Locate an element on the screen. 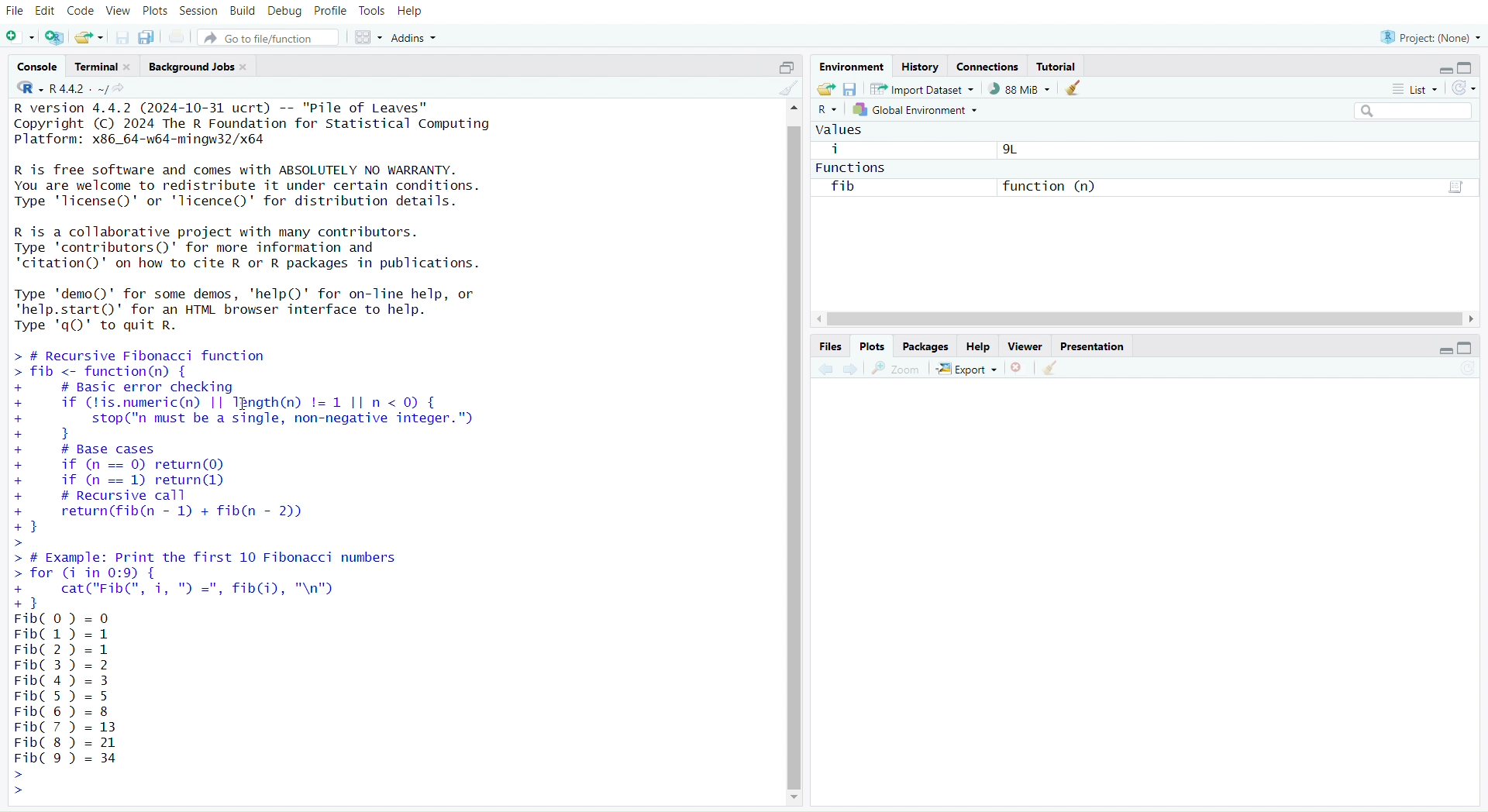  backward is located at coordinates (825, 370).